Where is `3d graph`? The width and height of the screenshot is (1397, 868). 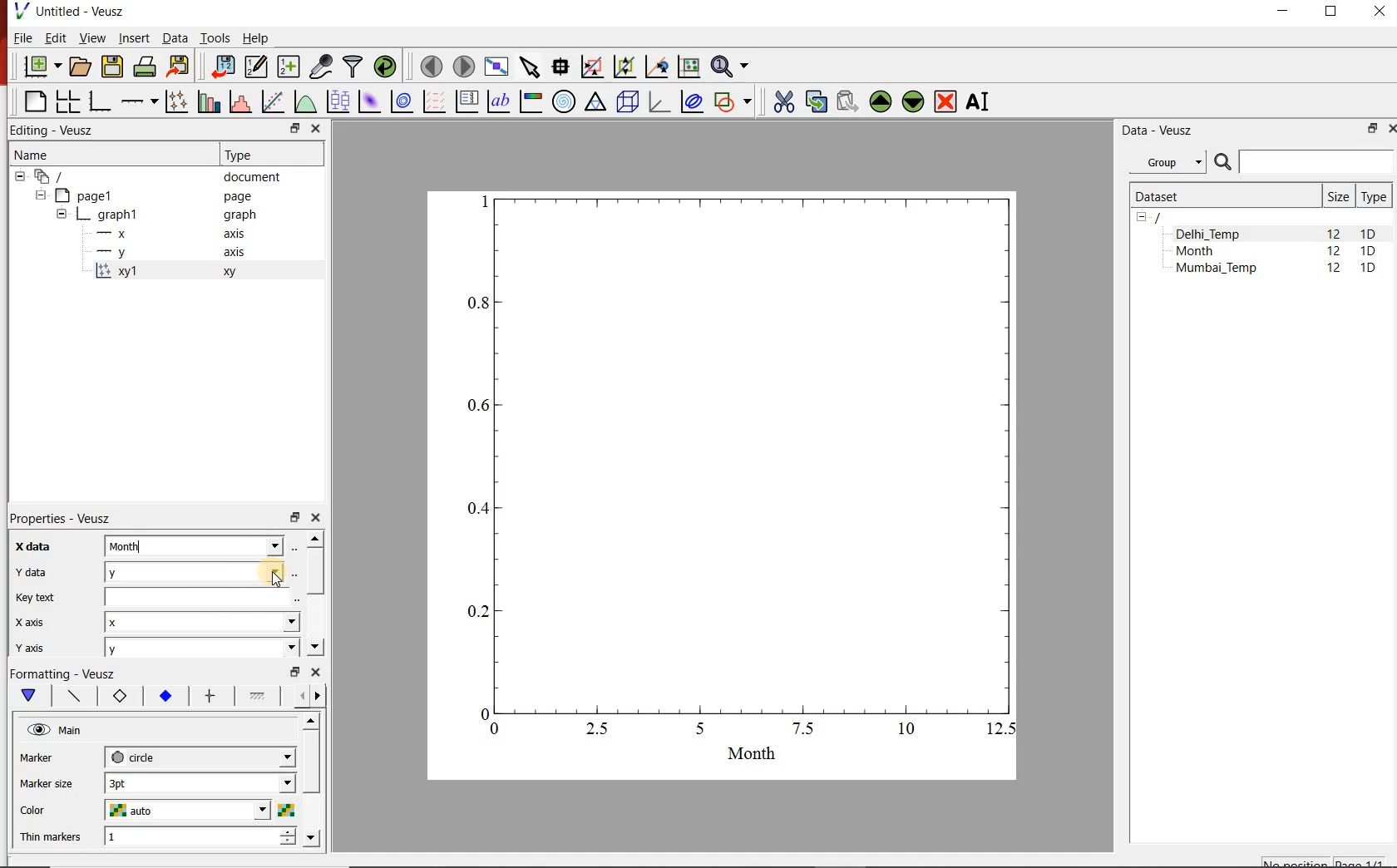 3d graph is located at coordinates (657, 101).